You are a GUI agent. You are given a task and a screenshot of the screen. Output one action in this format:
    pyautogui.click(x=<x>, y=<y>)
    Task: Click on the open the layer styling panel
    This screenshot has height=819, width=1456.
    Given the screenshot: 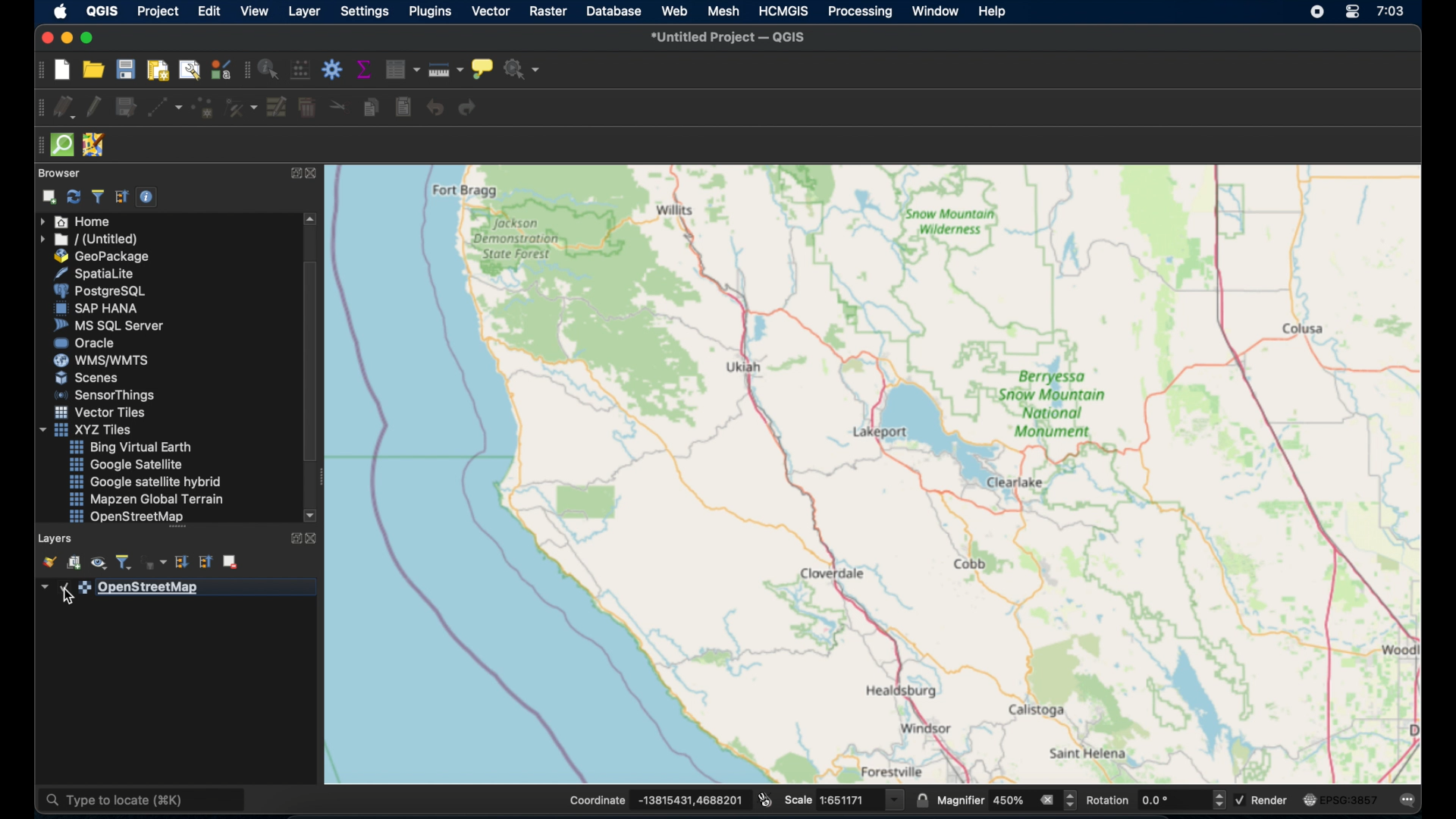 What is the action you would take?
    pyautogui.click(x=45, y=562)
    